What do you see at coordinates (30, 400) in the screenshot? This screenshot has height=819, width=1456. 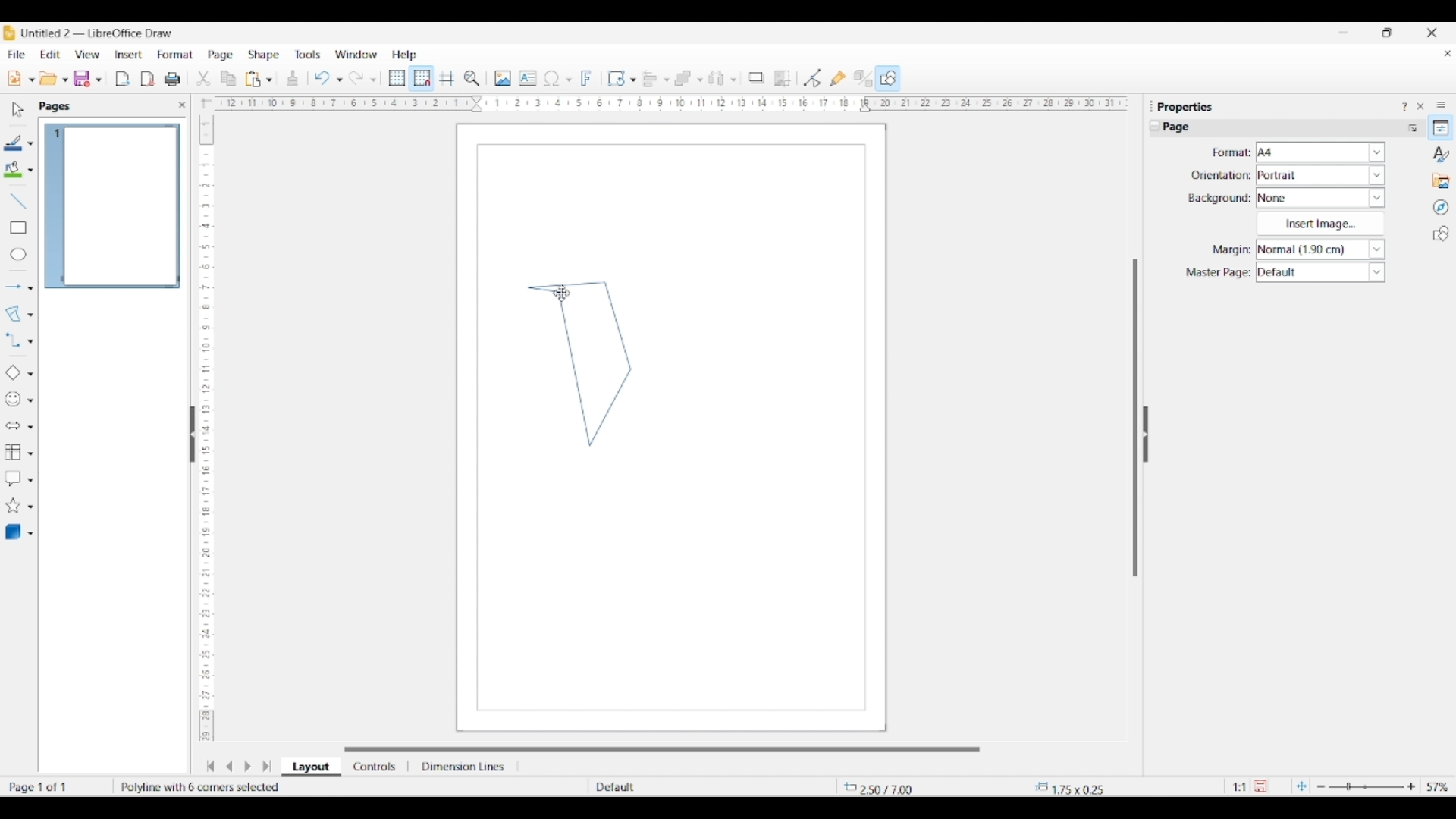 I see `Symbol shape options` at bounding box center [30, 400].